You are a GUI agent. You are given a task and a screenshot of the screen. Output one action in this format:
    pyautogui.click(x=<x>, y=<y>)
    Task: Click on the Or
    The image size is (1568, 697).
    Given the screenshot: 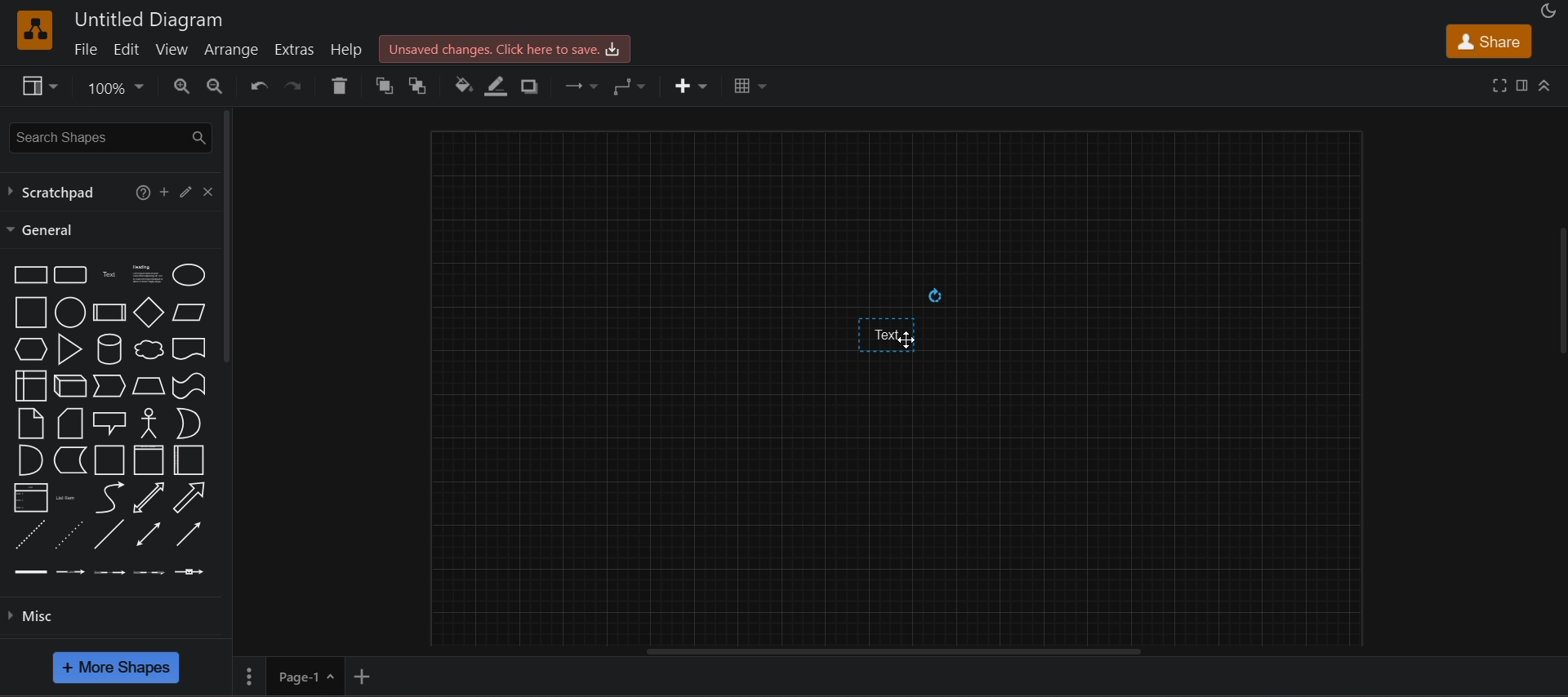 What is the action you would take?
    pyautogui.click(x=189, y=424)
    